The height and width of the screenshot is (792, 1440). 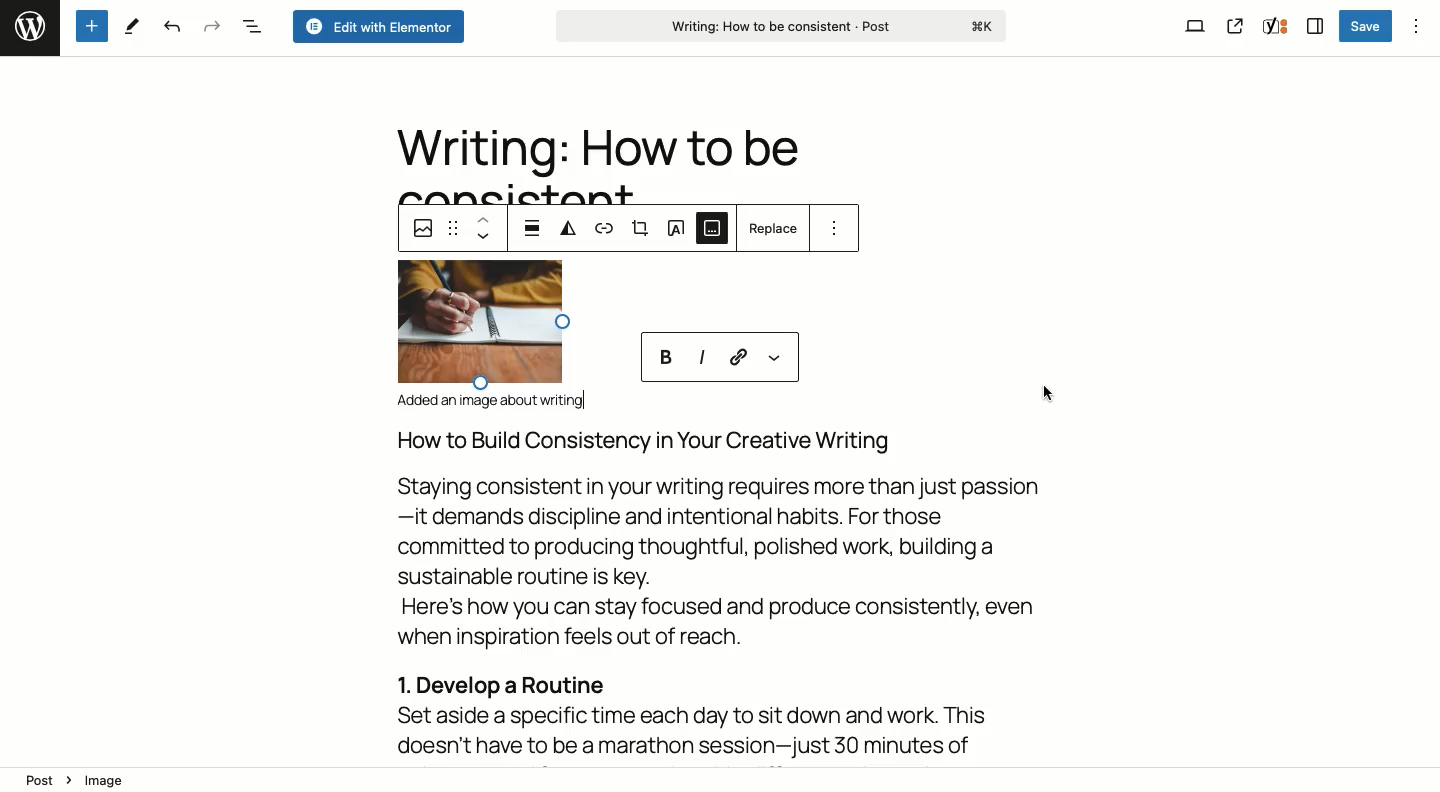 I want to click on Logo, so click(x=27, y=25).